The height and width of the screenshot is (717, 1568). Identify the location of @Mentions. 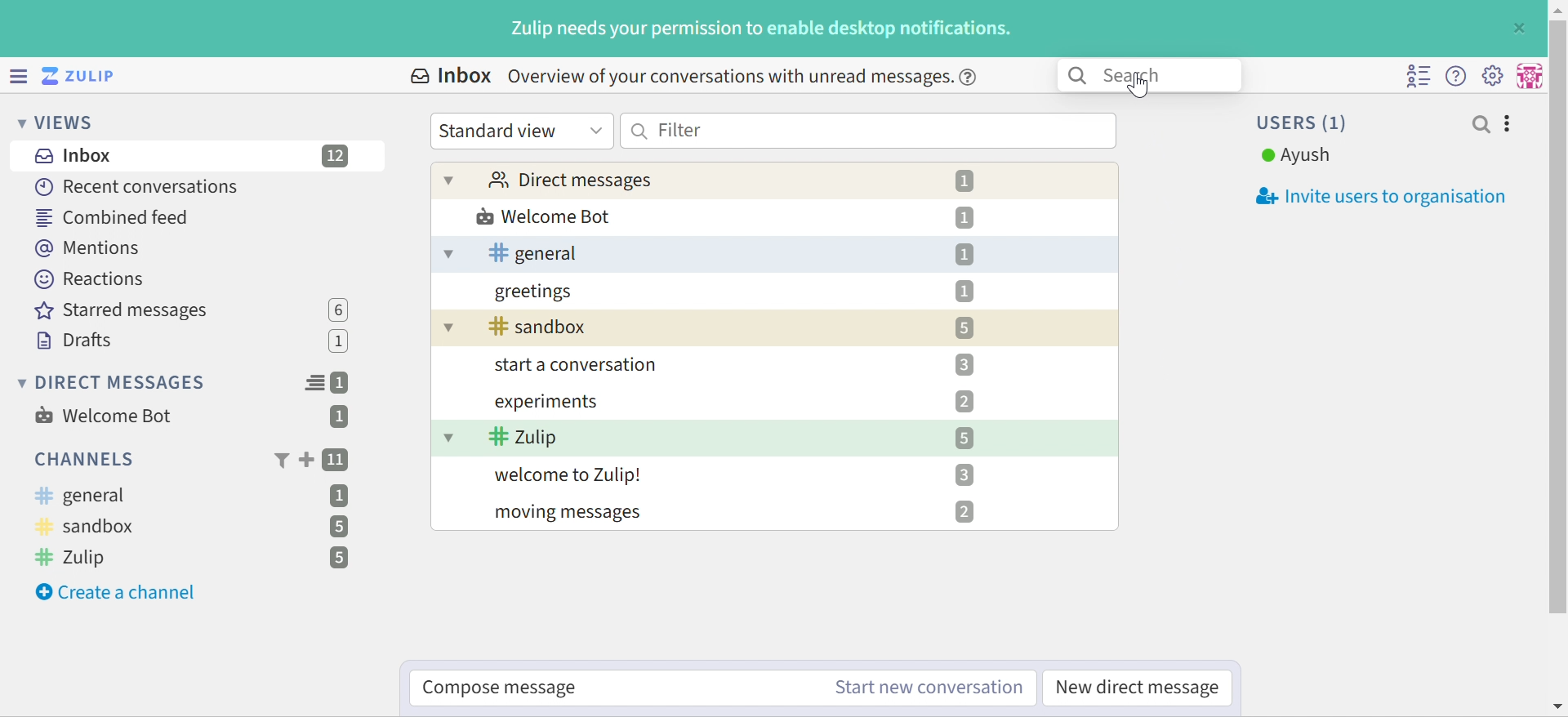
(89, 249).